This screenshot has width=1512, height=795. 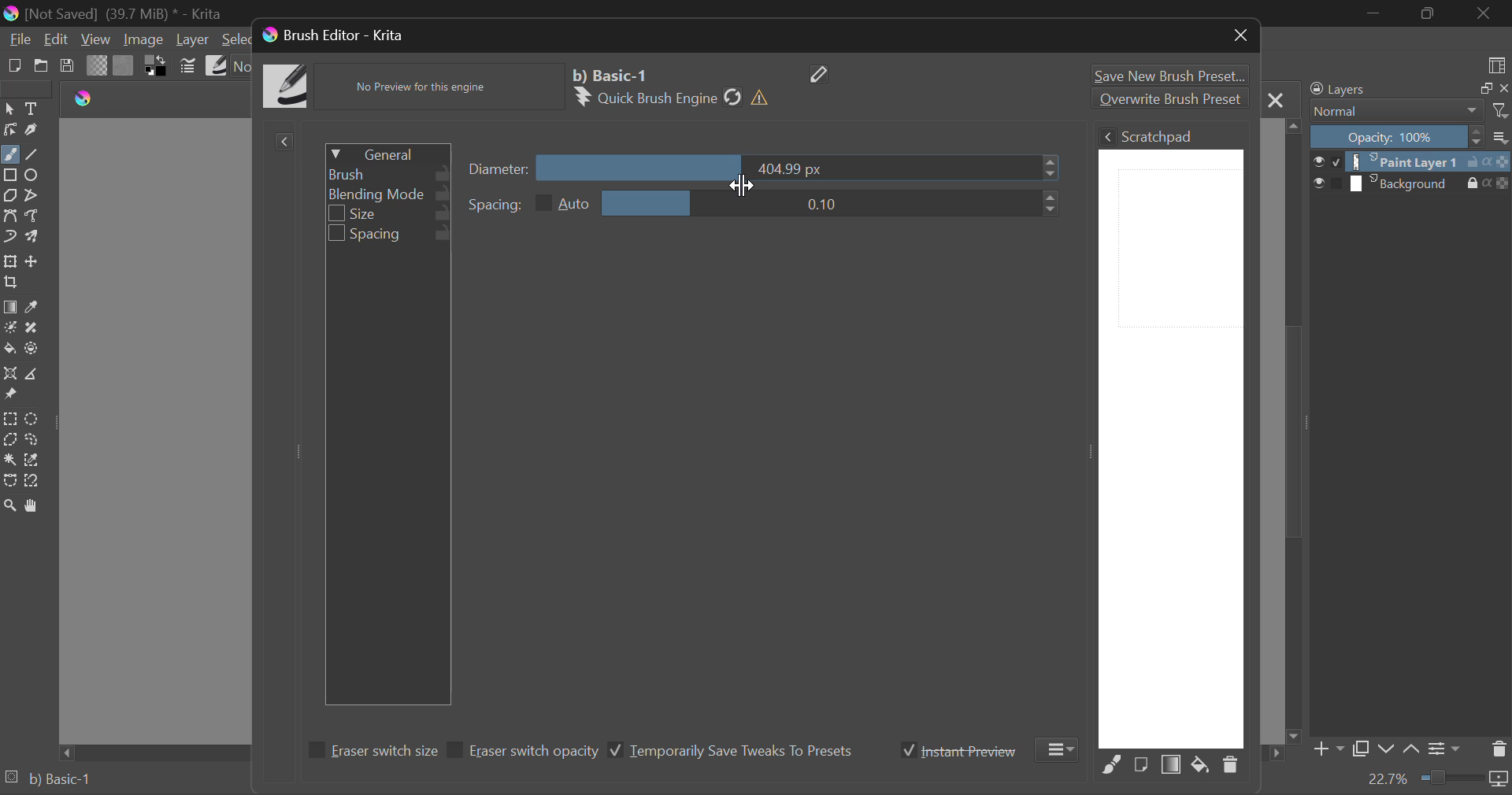 I want to click on Freehand Selection, so click(x=31, y=441).